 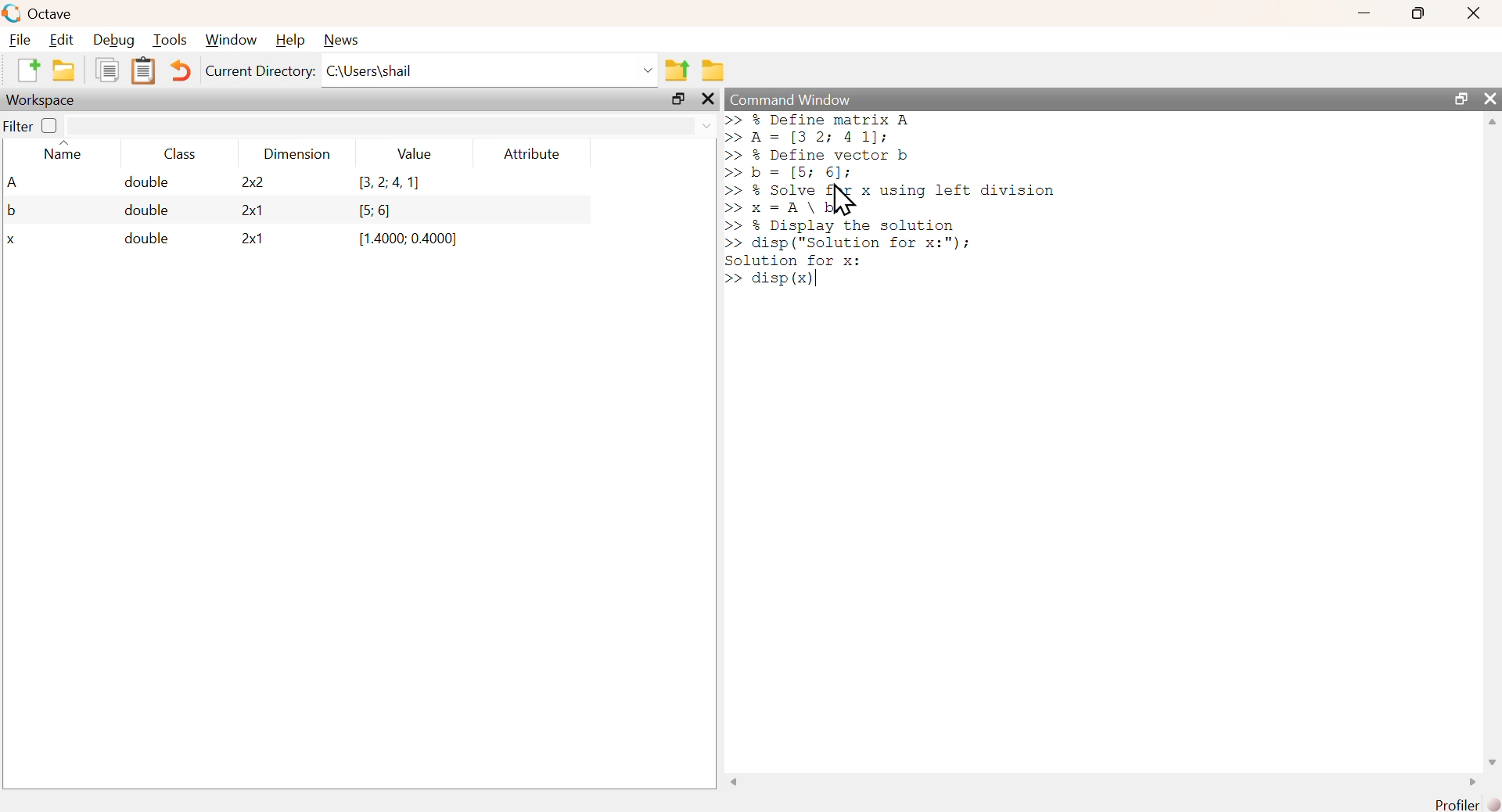 What do you see at coordinates (1416, 13) in the screenshot?
I see `maximize` at bounding box center [1416, 13].